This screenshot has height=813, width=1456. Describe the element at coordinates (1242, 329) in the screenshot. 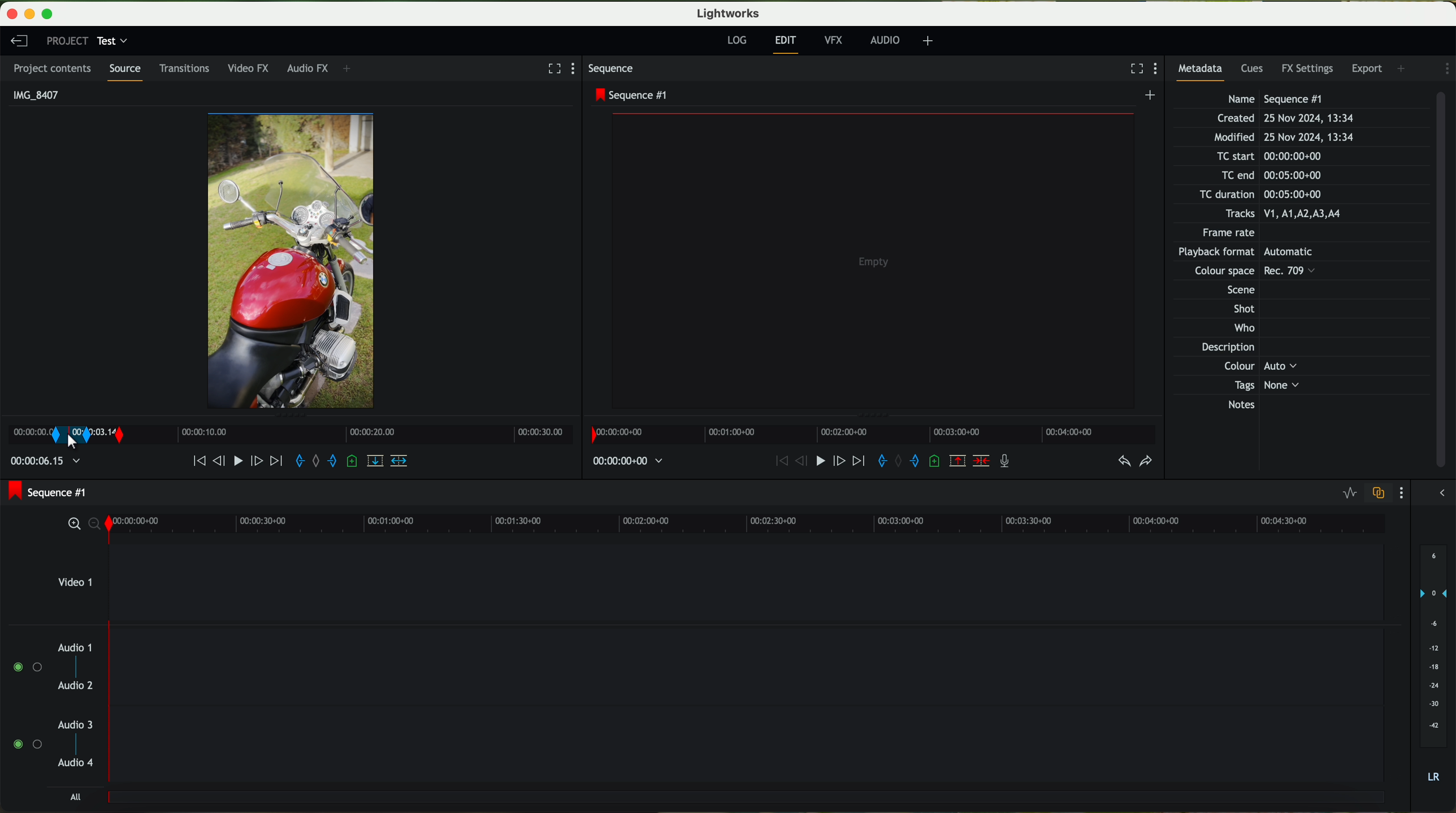

I see `Who` at that location.